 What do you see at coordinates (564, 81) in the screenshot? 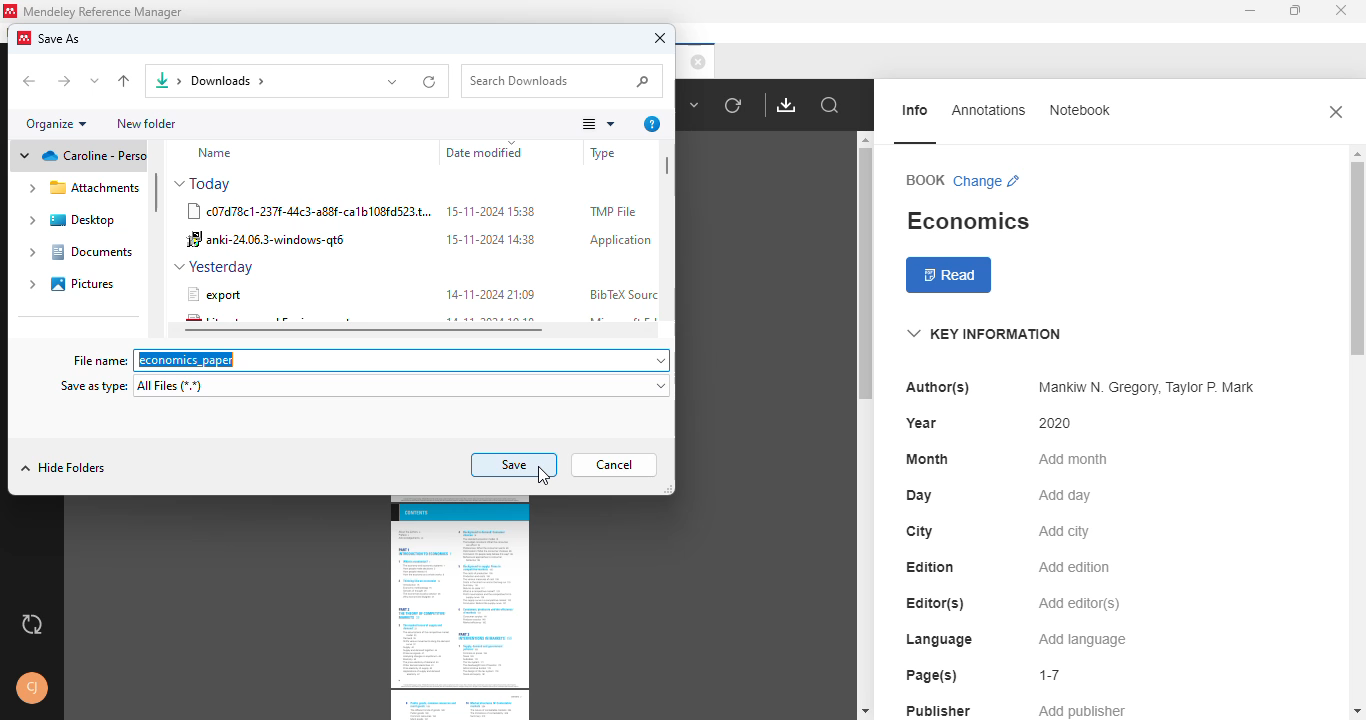
I see `search downloads` at bounding box center [564, 81].